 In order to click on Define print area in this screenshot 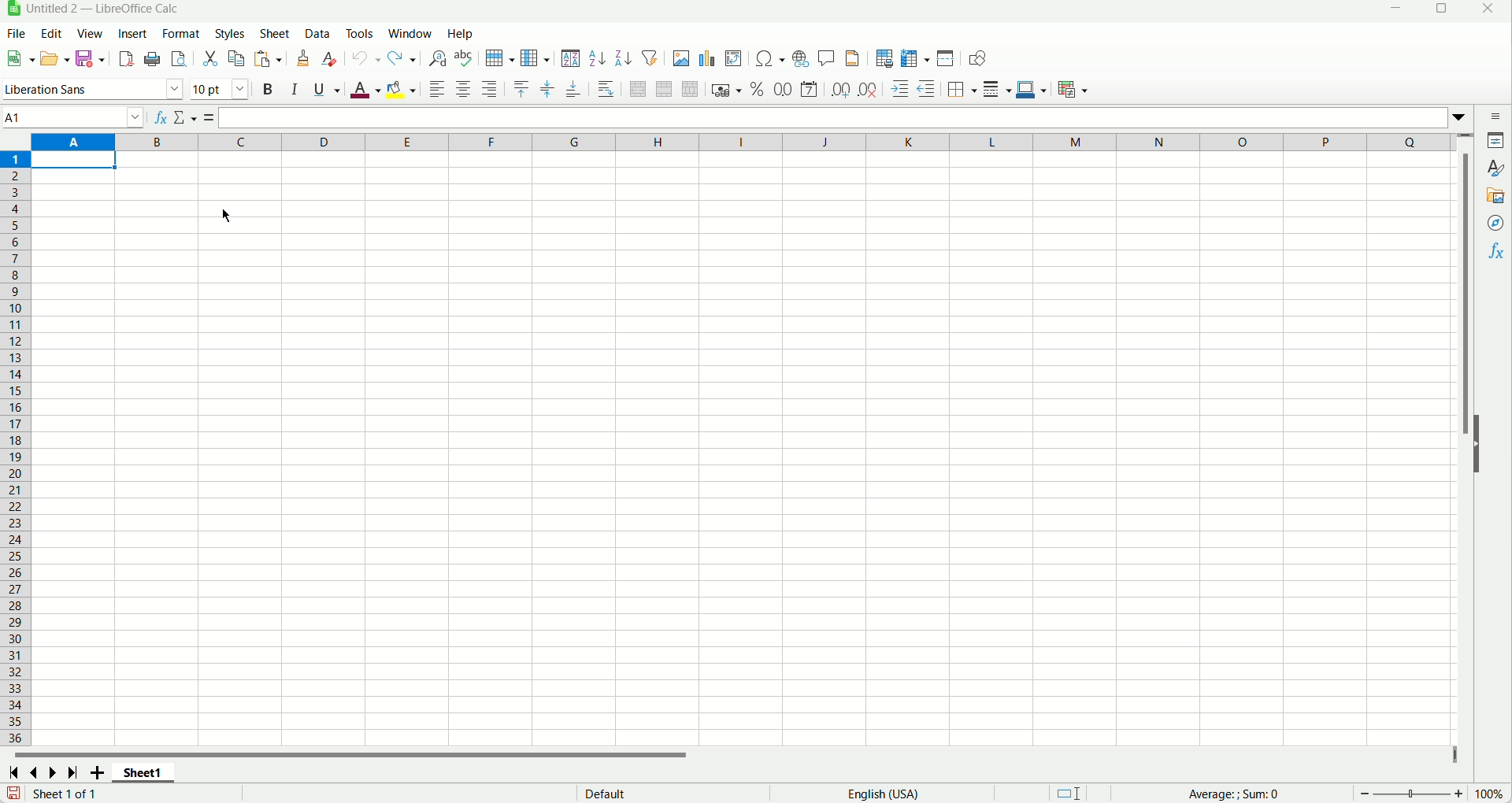, I will do `click(884, 59)`.